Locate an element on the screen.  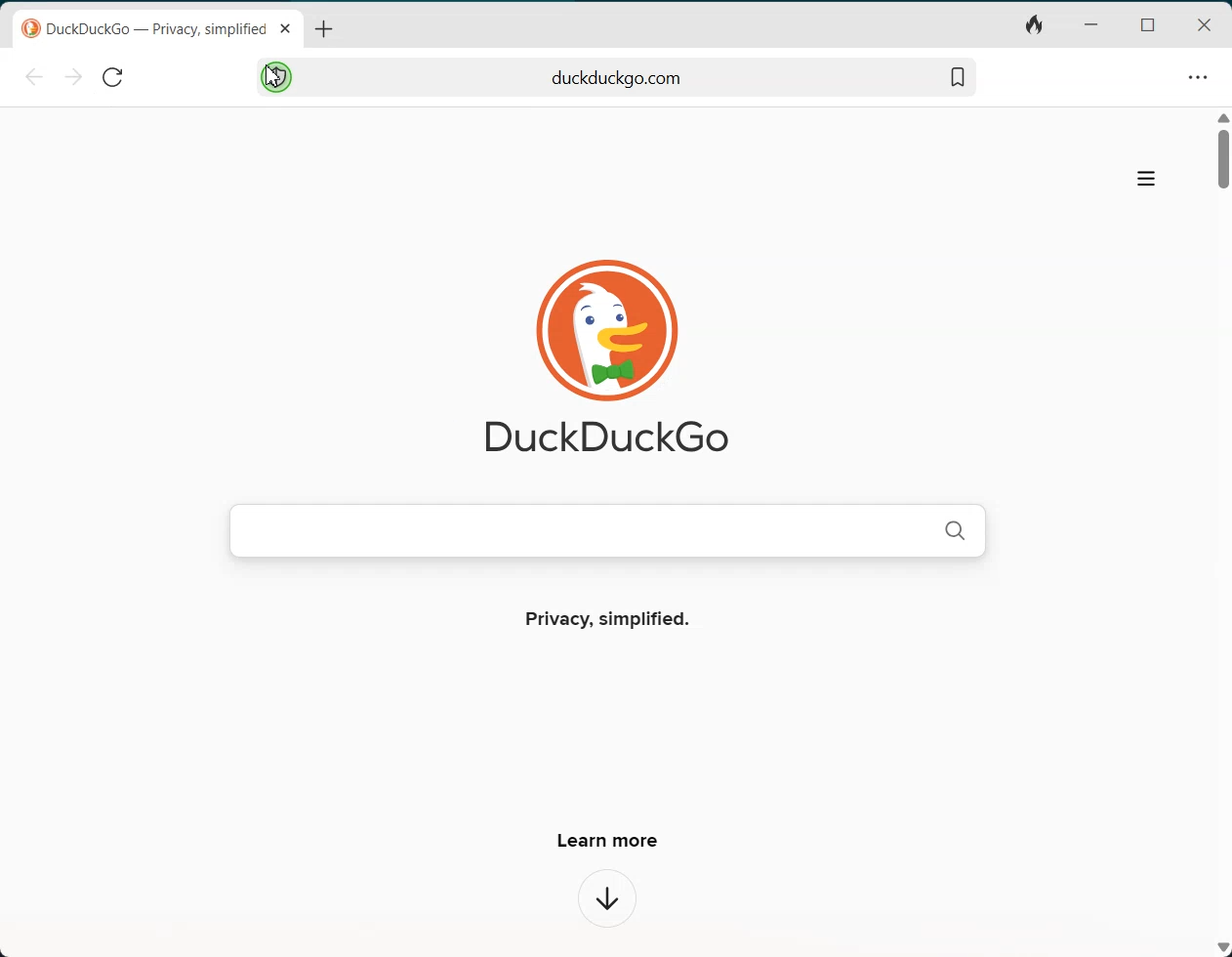
Search bar is located at coordinates (606, 529).